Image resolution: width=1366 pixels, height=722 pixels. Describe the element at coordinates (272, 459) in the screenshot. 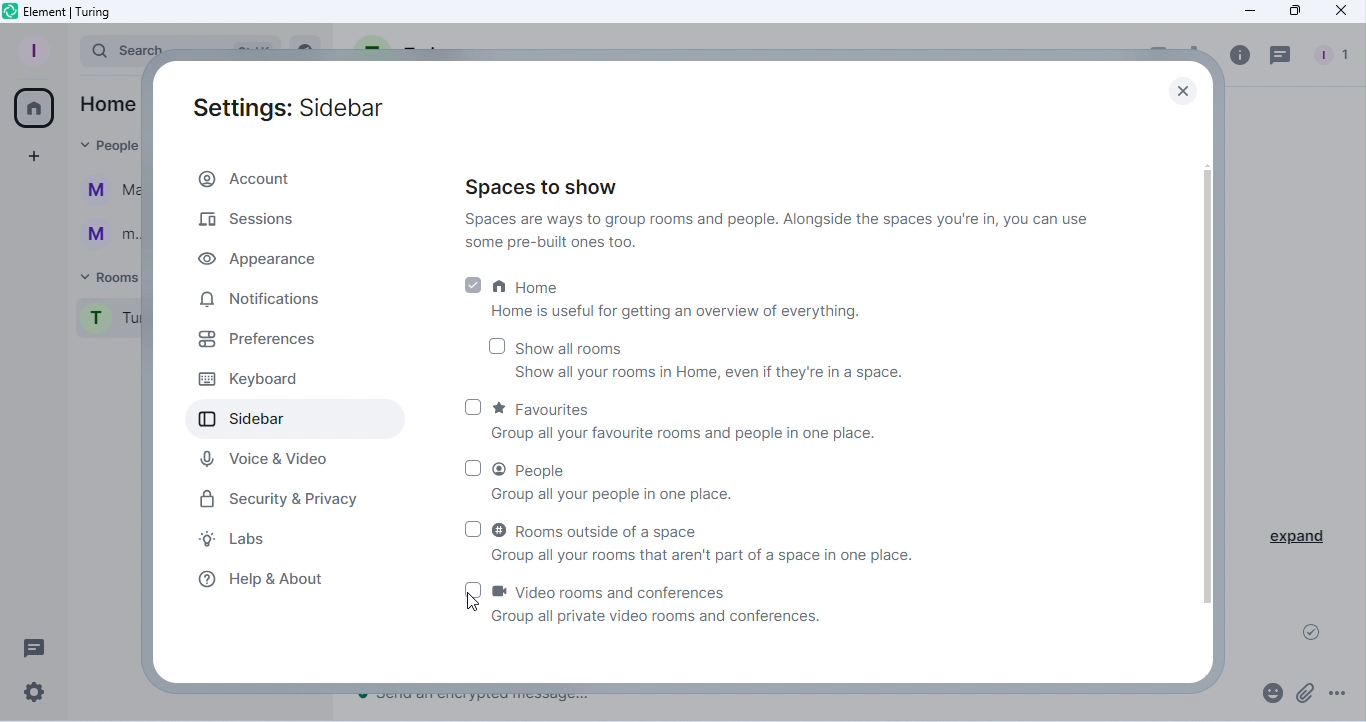

I see `Voice & Video` at that location.